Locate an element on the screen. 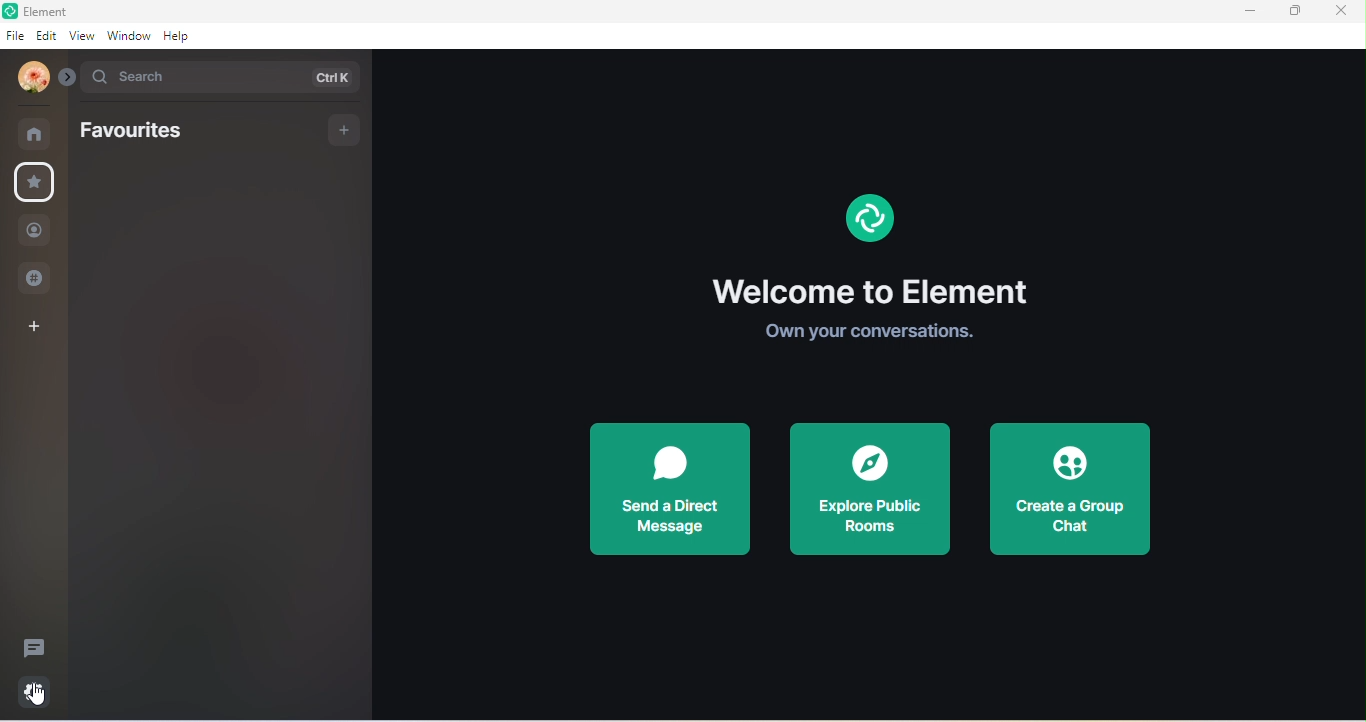 The width and height of the screenshot is (1366, 722). element logo is located at coordinates (868, 220).